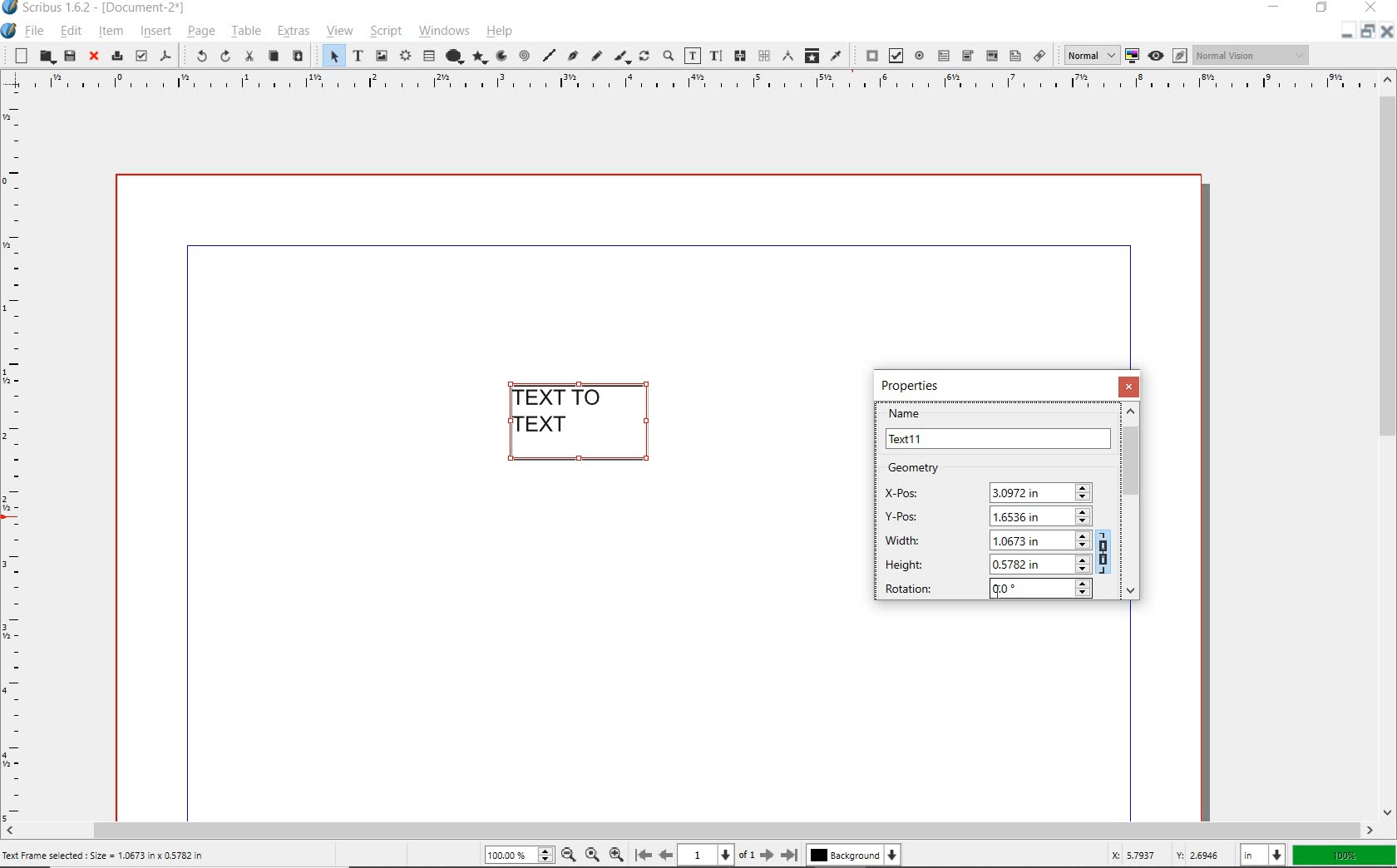  I want to click on system name, so click(107, 8).